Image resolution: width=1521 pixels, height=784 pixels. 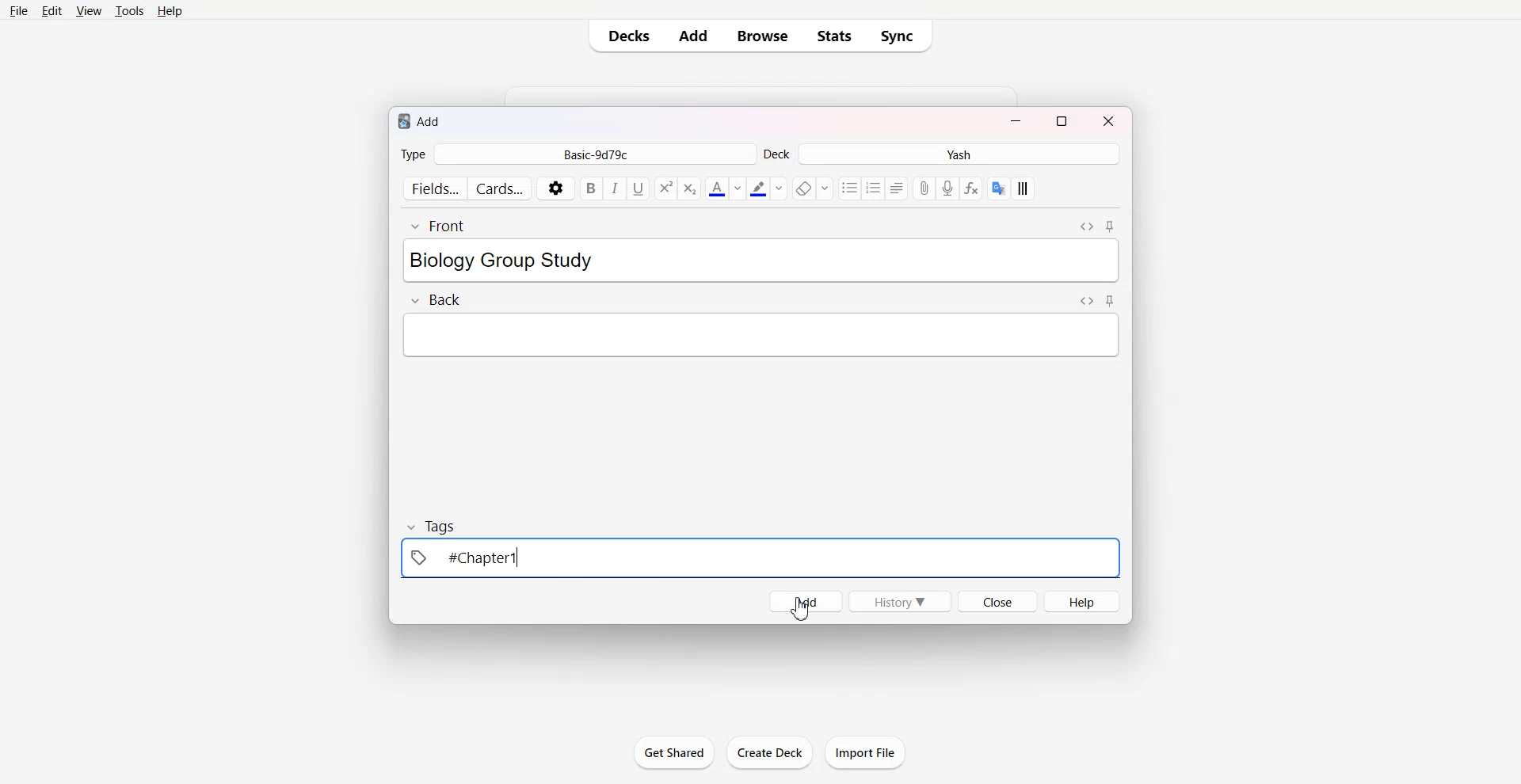 I want to click on Highlight Text Color, so click(x=767, y=188).